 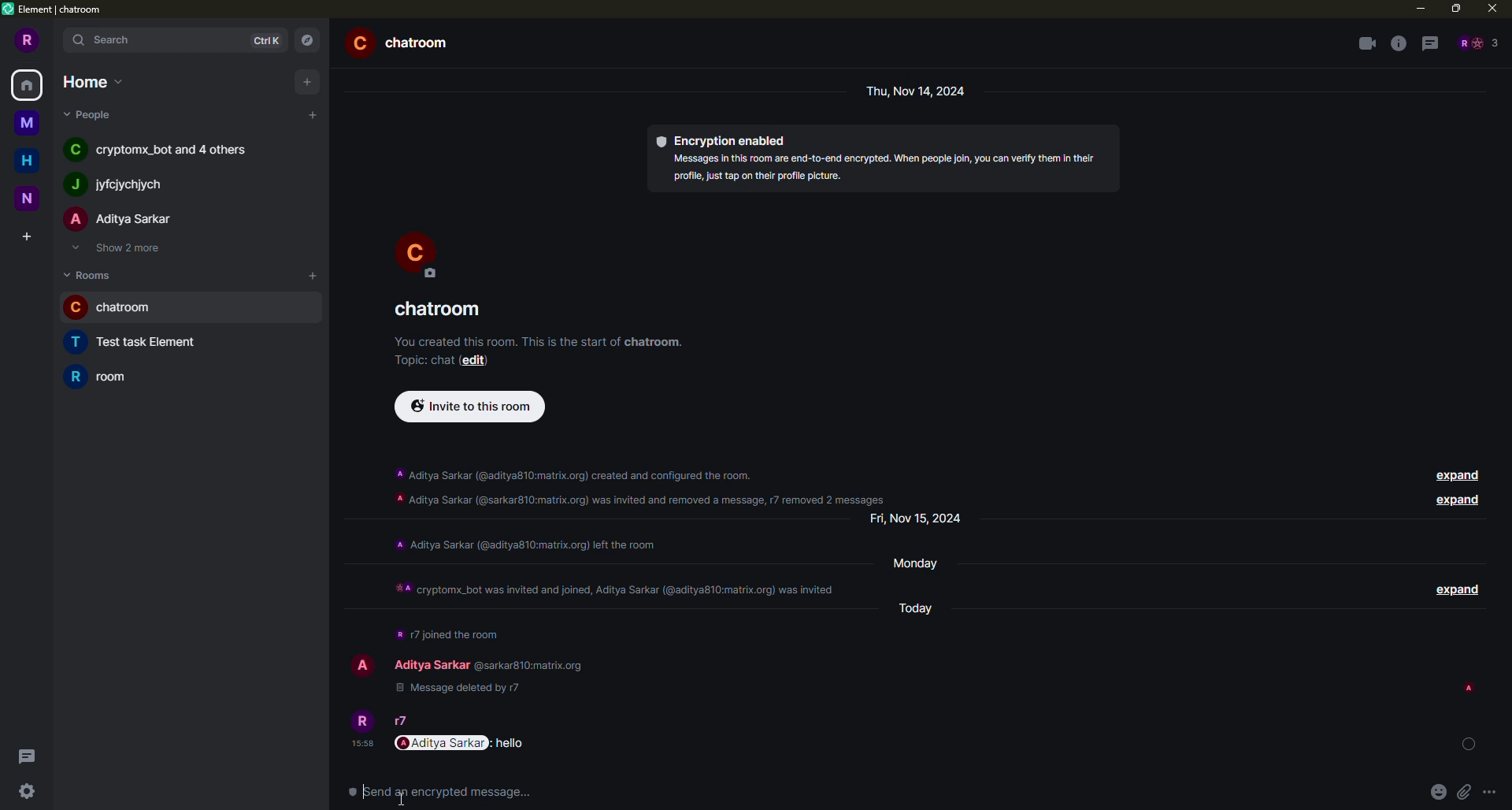 I want to click on message mentioned, so click(x=464, y=741).